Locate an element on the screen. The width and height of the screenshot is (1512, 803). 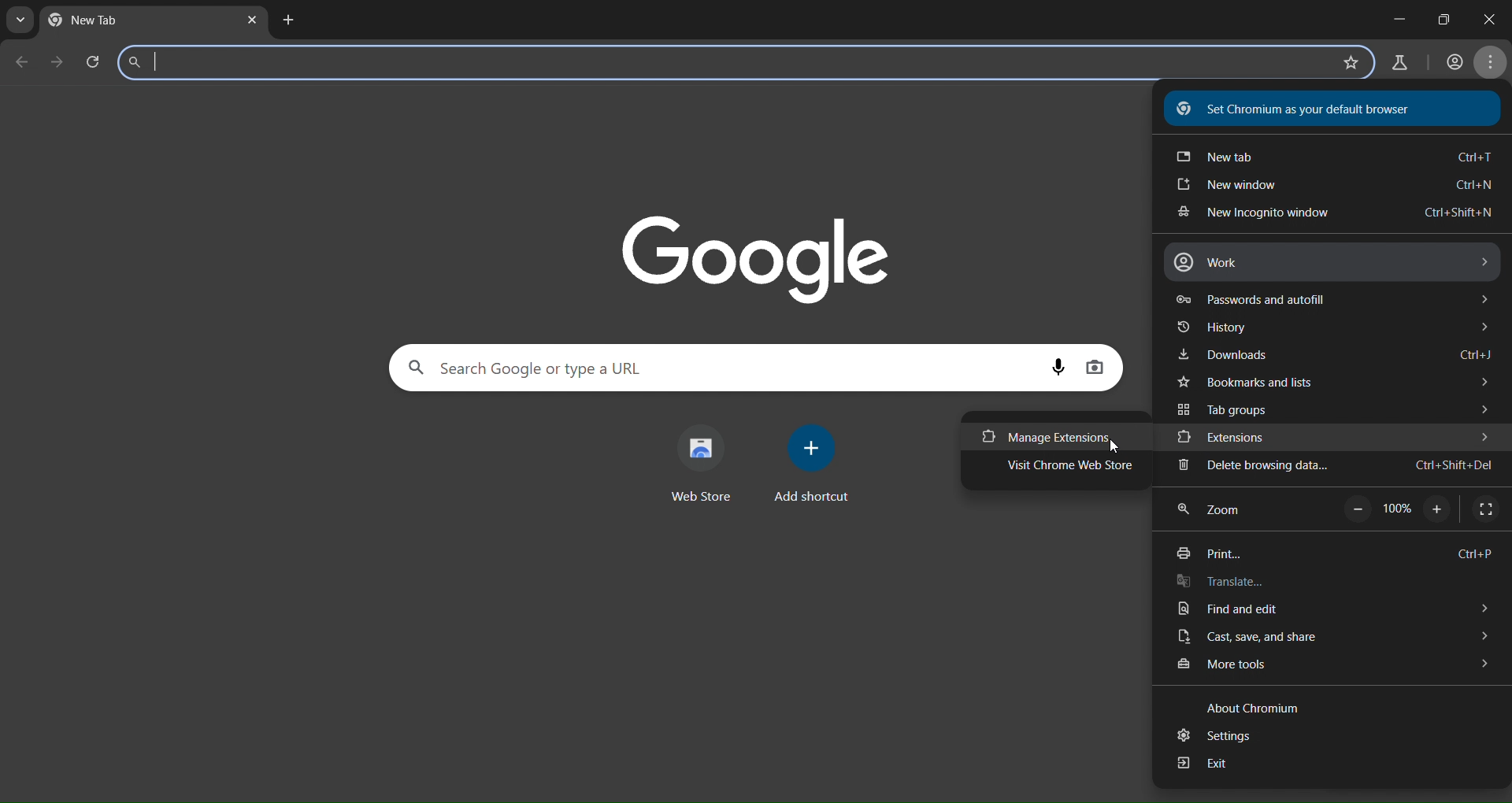
go back one page is located at coordinates (24, 61).